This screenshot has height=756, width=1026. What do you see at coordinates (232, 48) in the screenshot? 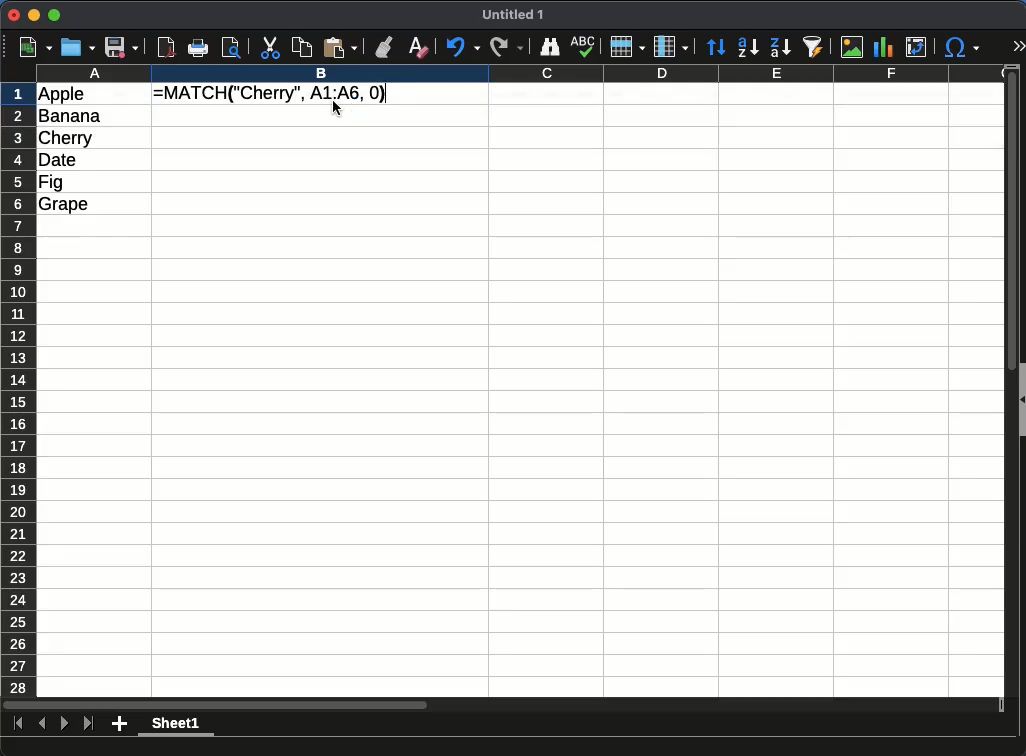
I see `print preview` at bounding box center [232, 48].